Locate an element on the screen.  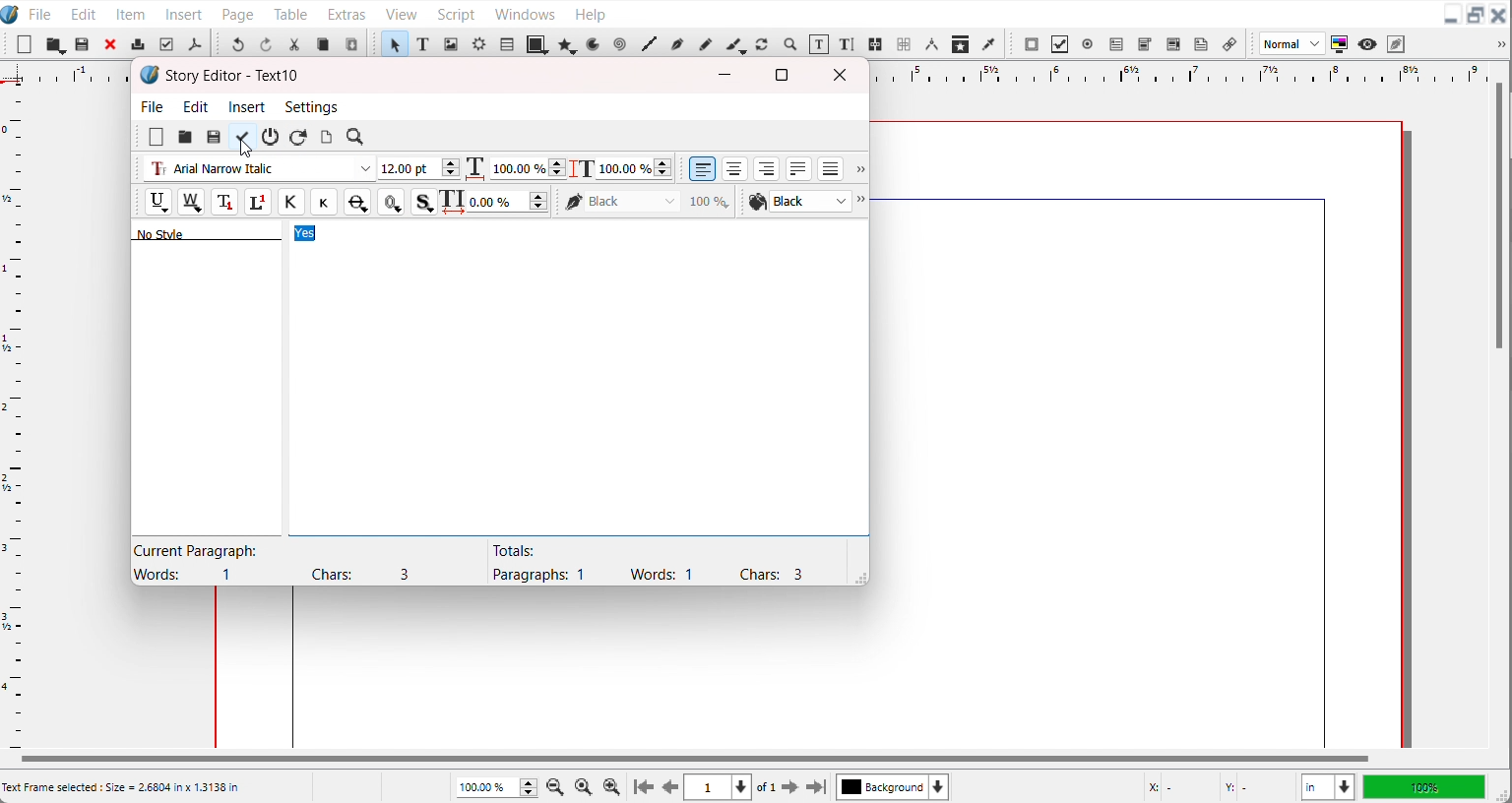
Update is located at coordinates (241, 137).